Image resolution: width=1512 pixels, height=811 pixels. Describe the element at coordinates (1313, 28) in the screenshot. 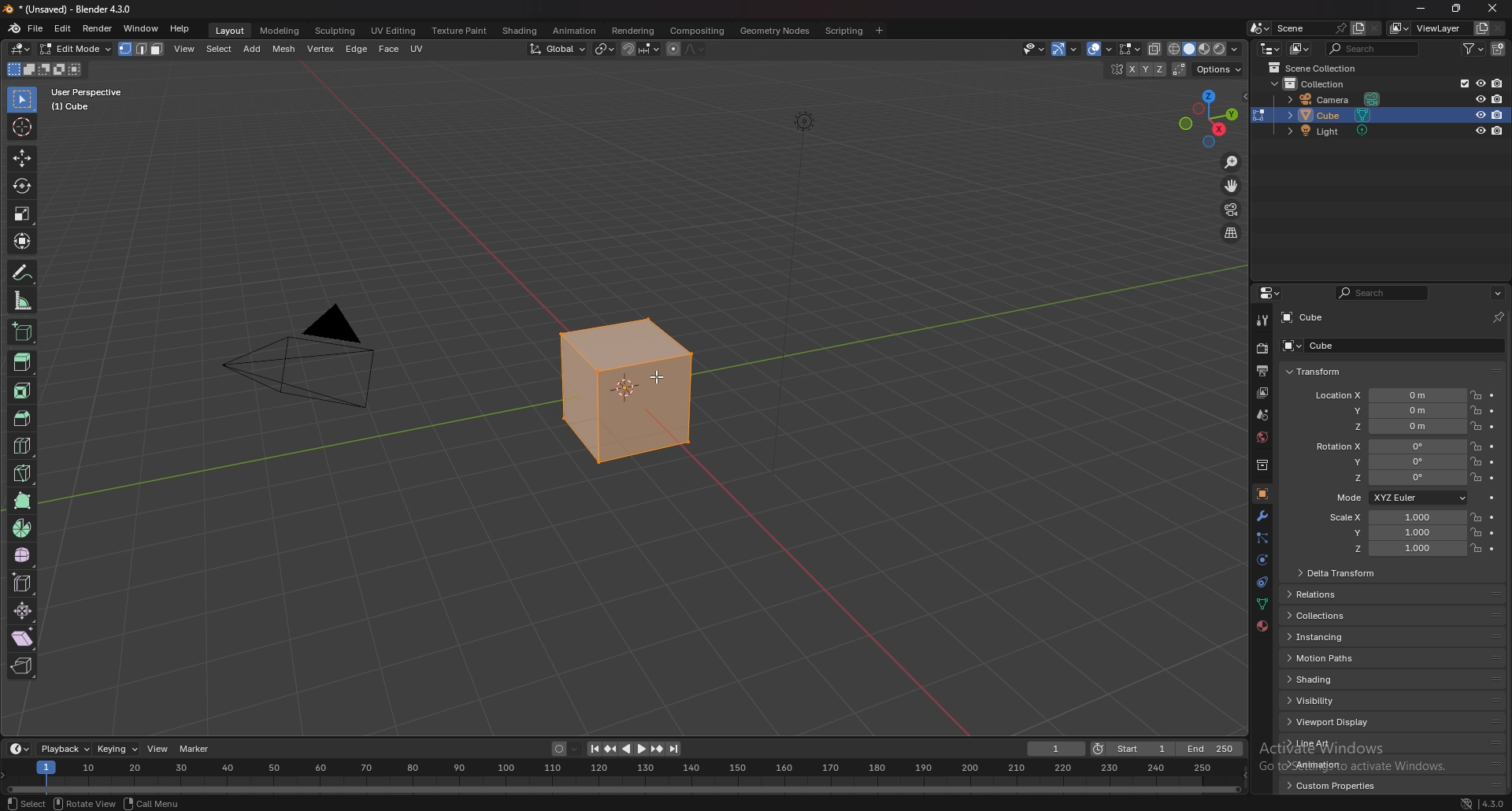

I see `scene` at that location.